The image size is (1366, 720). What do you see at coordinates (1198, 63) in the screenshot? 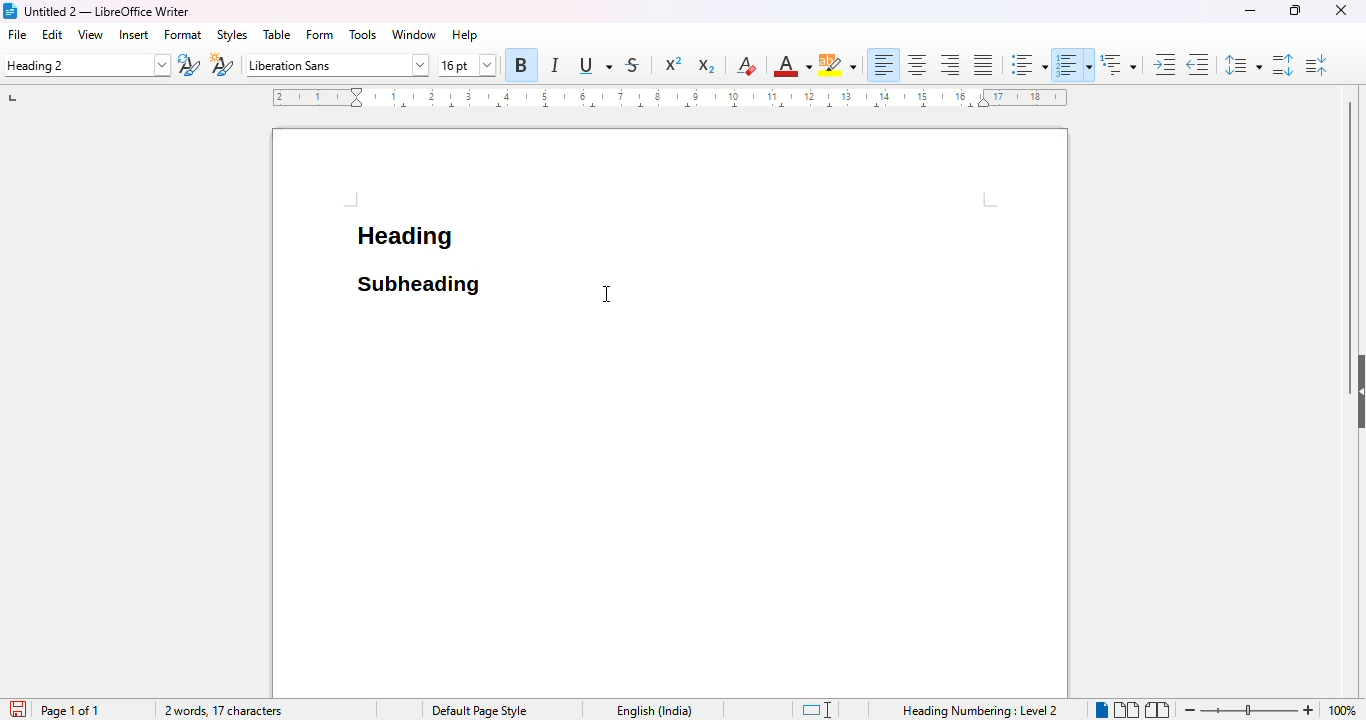
I see `decrease indent` at bounding box center [1198, 63].